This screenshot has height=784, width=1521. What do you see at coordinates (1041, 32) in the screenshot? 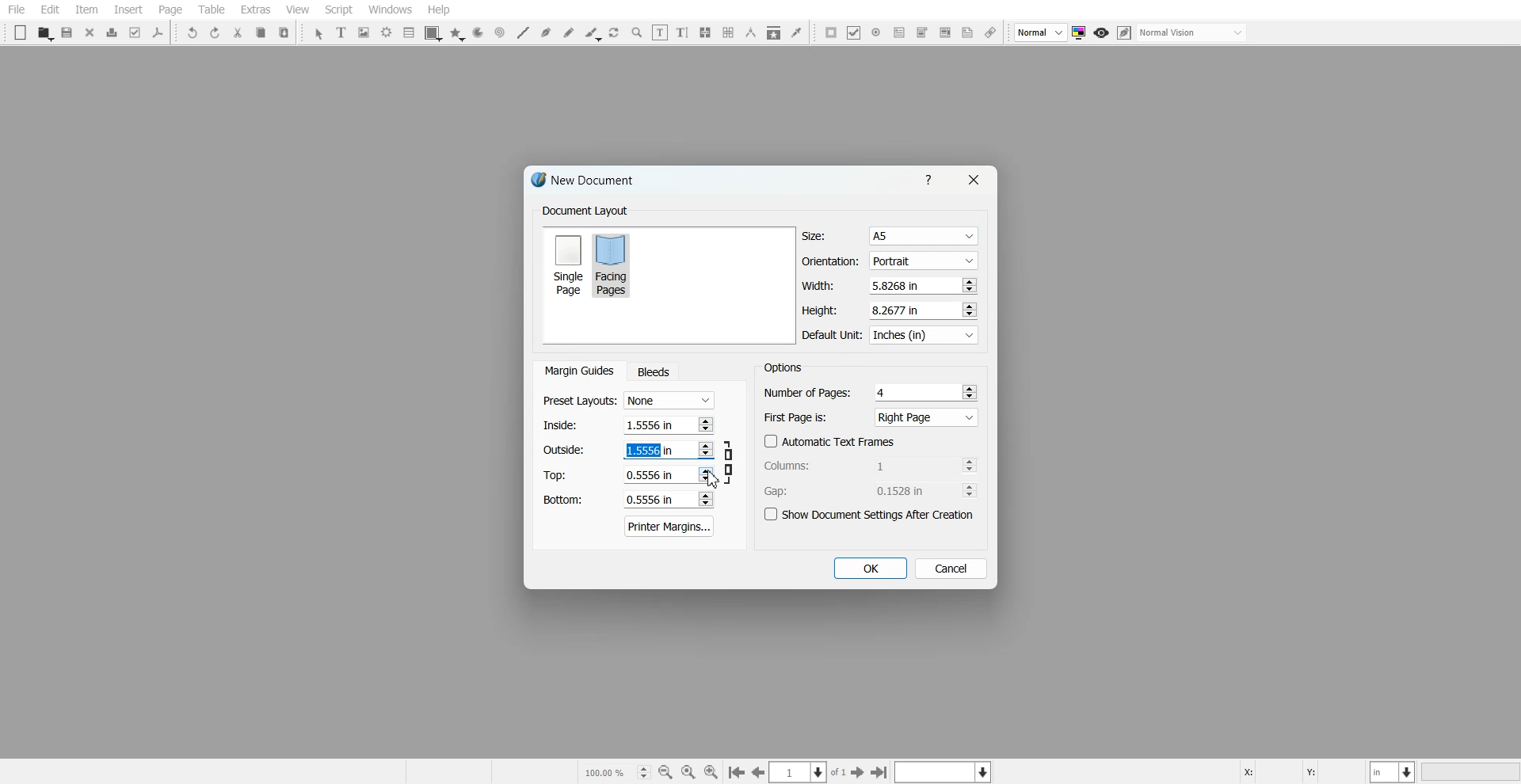
I see `Select image preview Quality` at bounding box center [1041, 32].